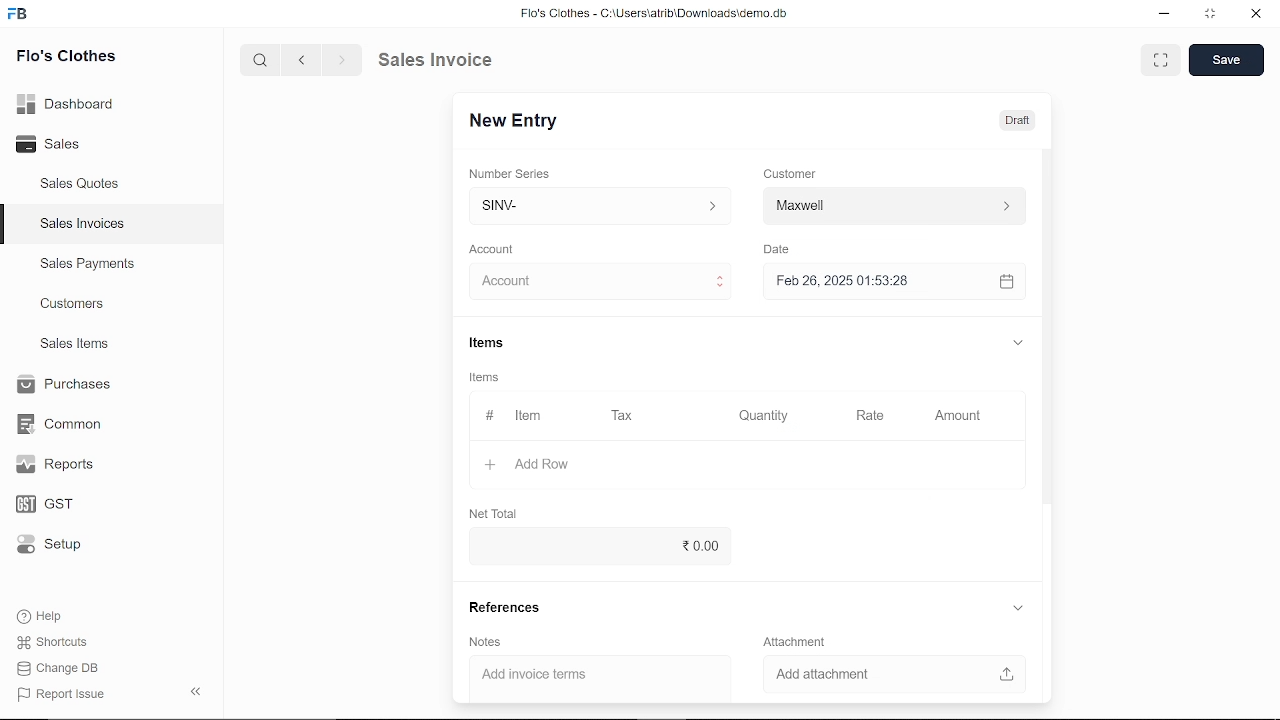  I want to click on Amount, so click(958, 416).